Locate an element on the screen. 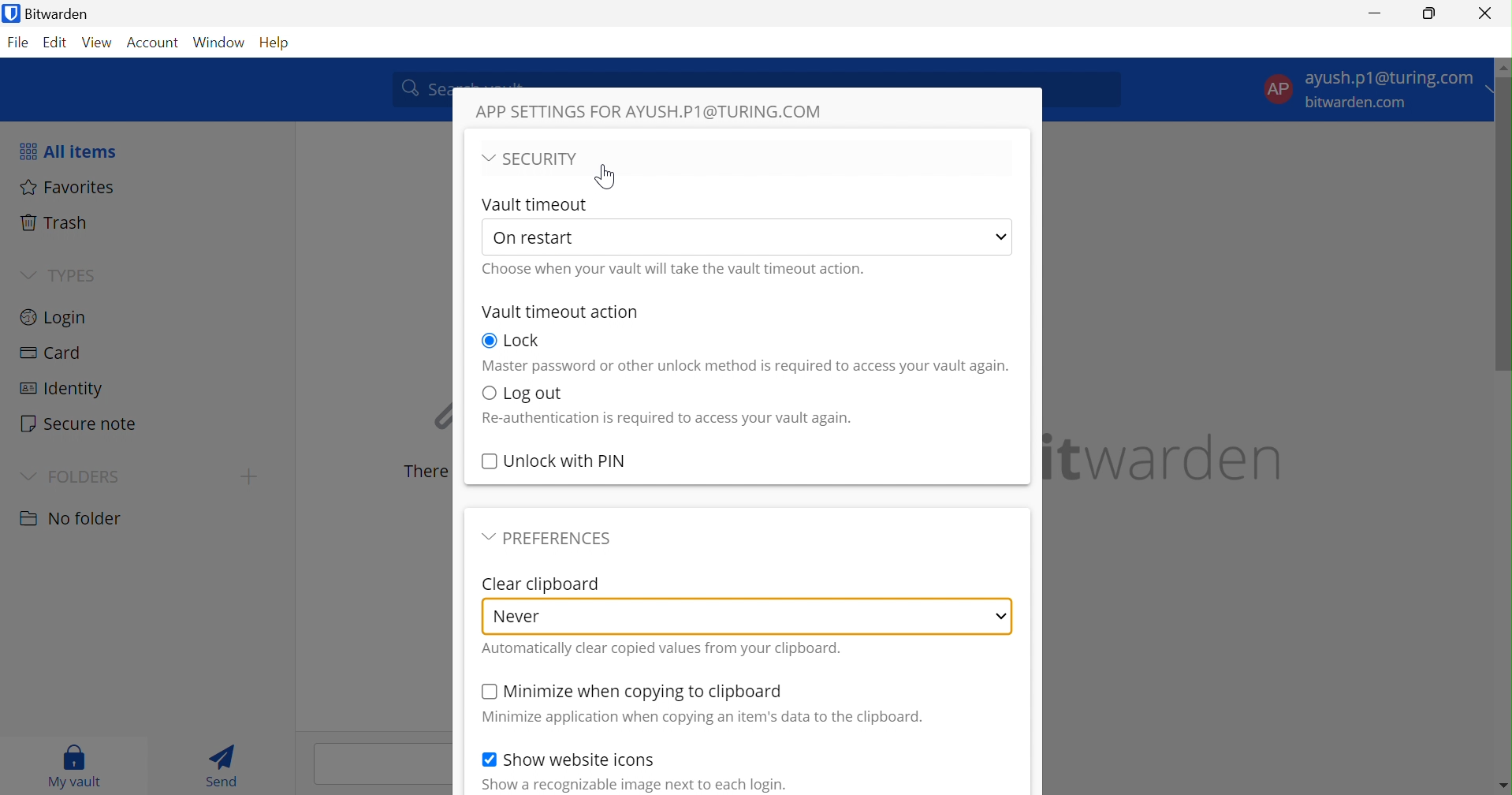 The height and width of the screenshot is (795, 1512). Secure note is located at coordinates (80, 423).